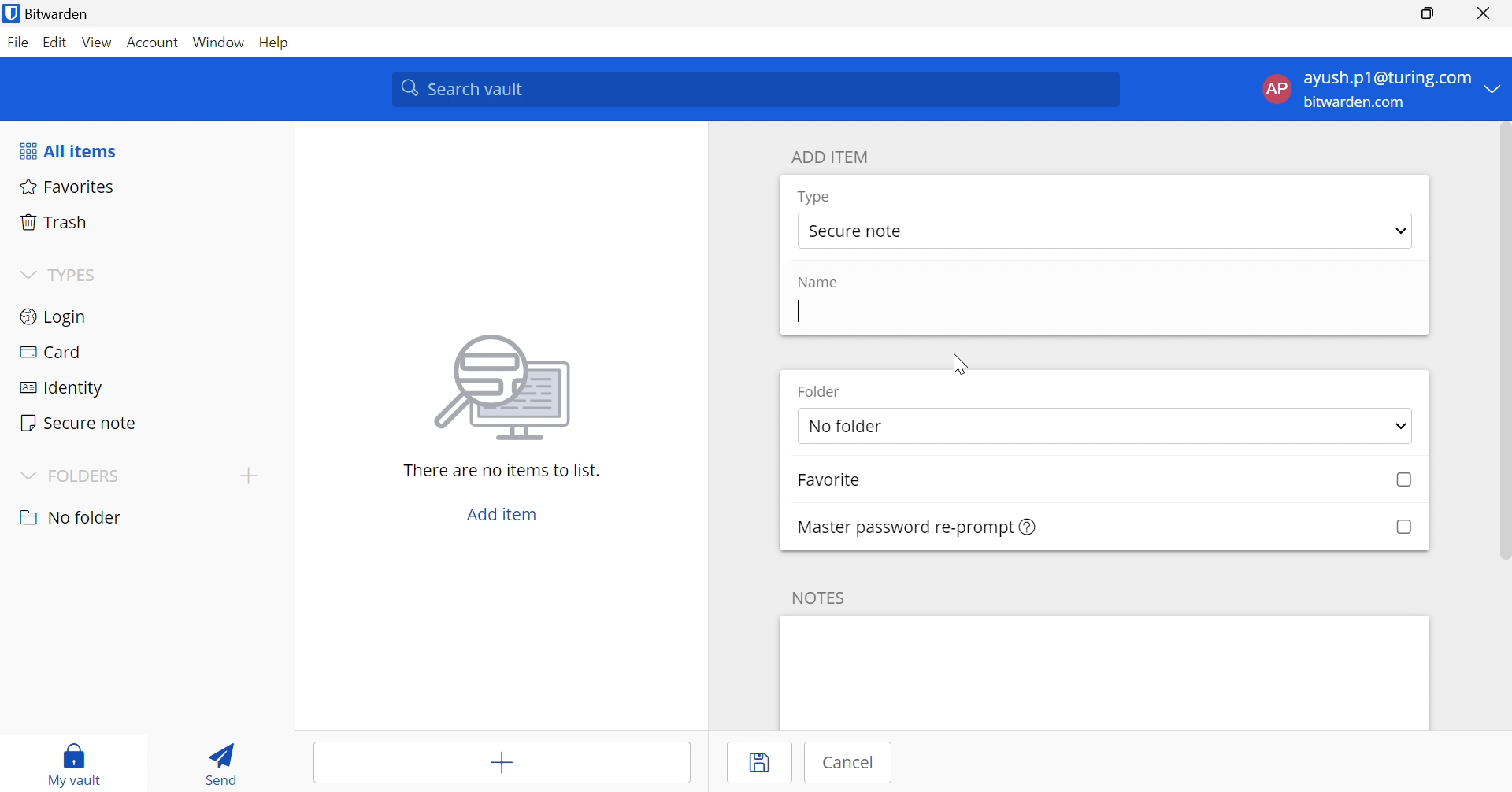 This screenshot has height=792, width=1512. What do you see at coordinates (147, 221) in the screenshot?
I see `Trash` at bounding box center [147, 221].